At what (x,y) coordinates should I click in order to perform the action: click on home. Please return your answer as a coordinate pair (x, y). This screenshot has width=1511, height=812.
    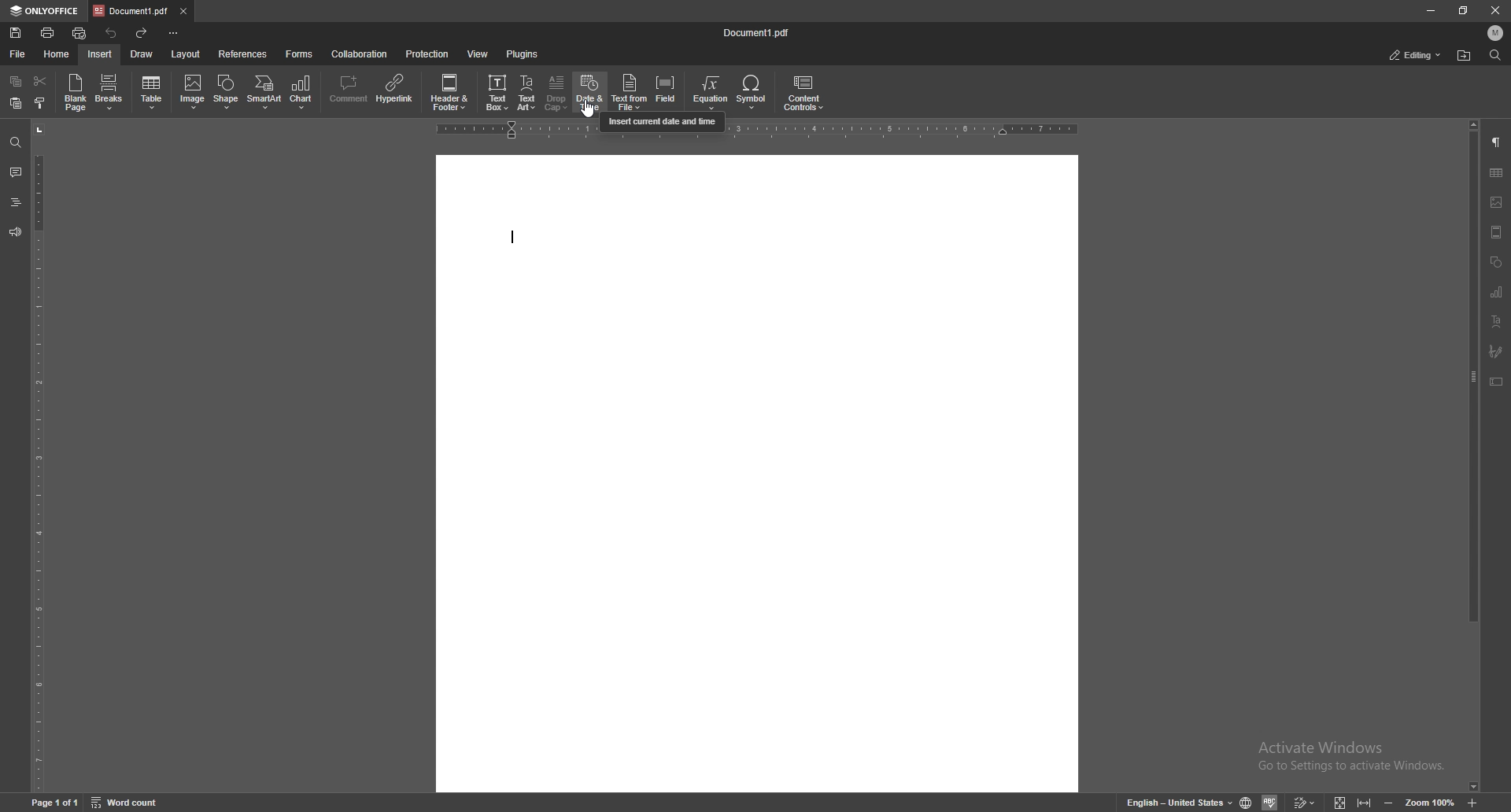
    Looking at the image, I should click on (58, 55).